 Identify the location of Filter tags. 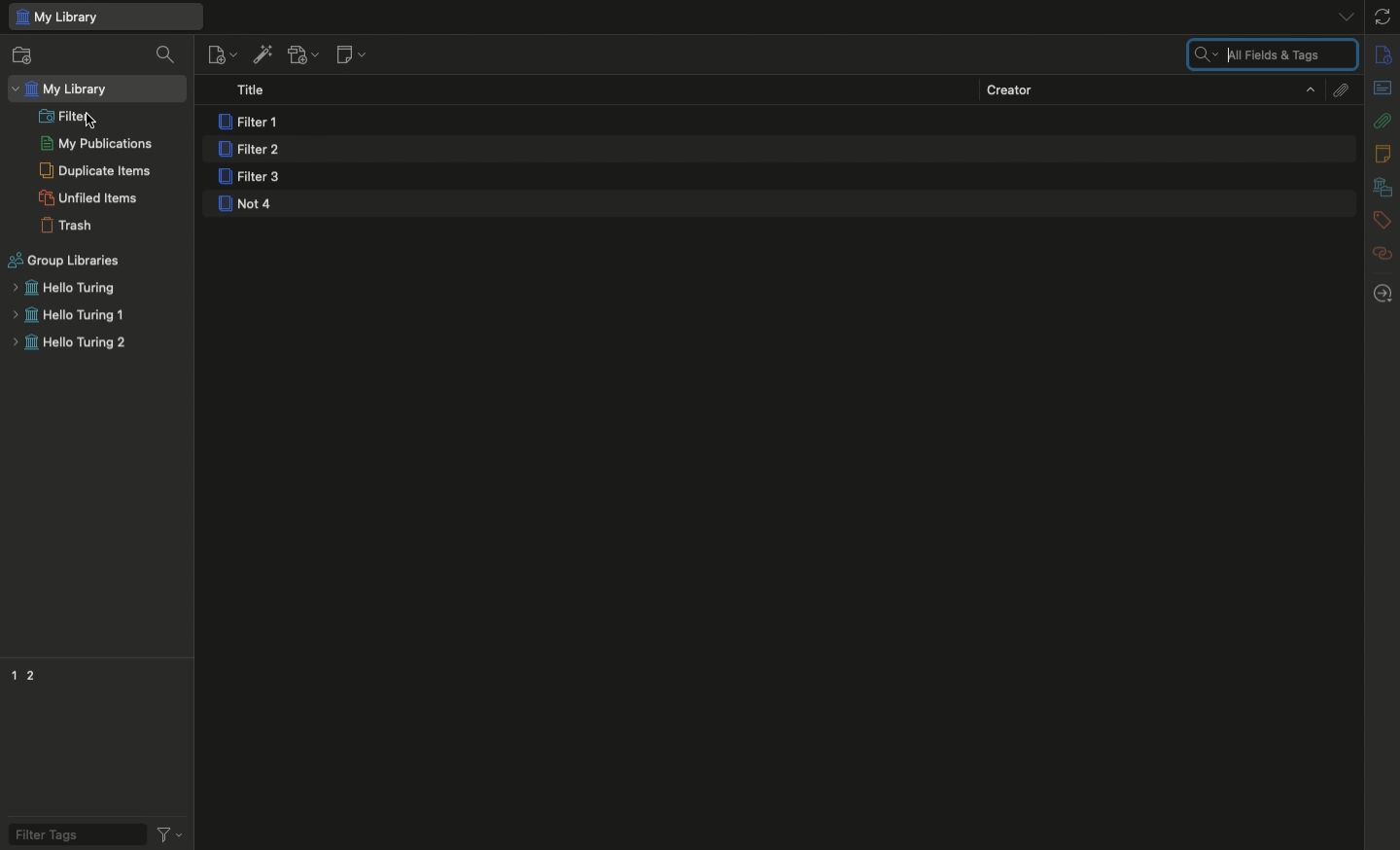
(70, 832).